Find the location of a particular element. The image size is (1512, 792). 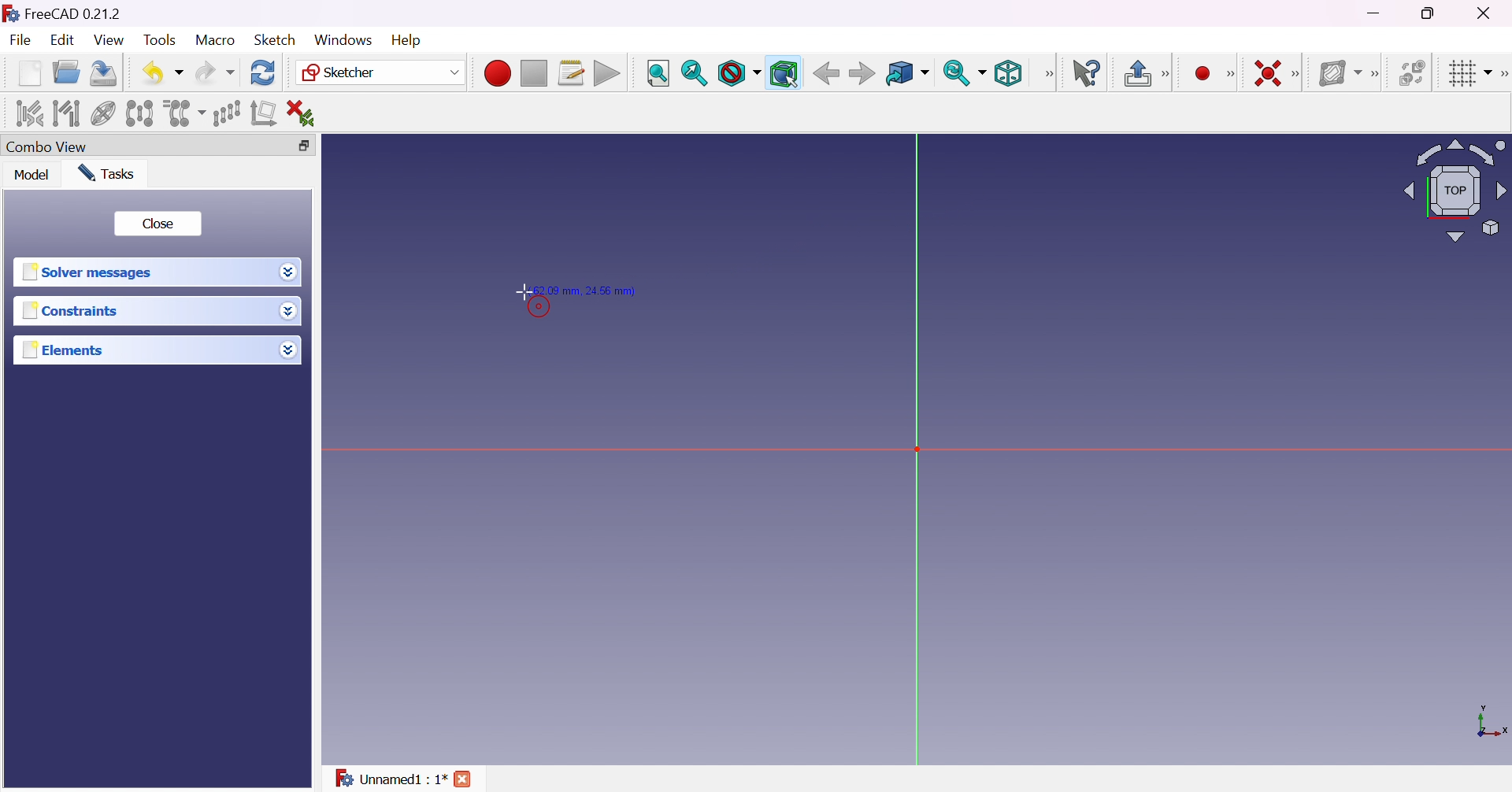

Constraints is located at coordinates (71, 312).